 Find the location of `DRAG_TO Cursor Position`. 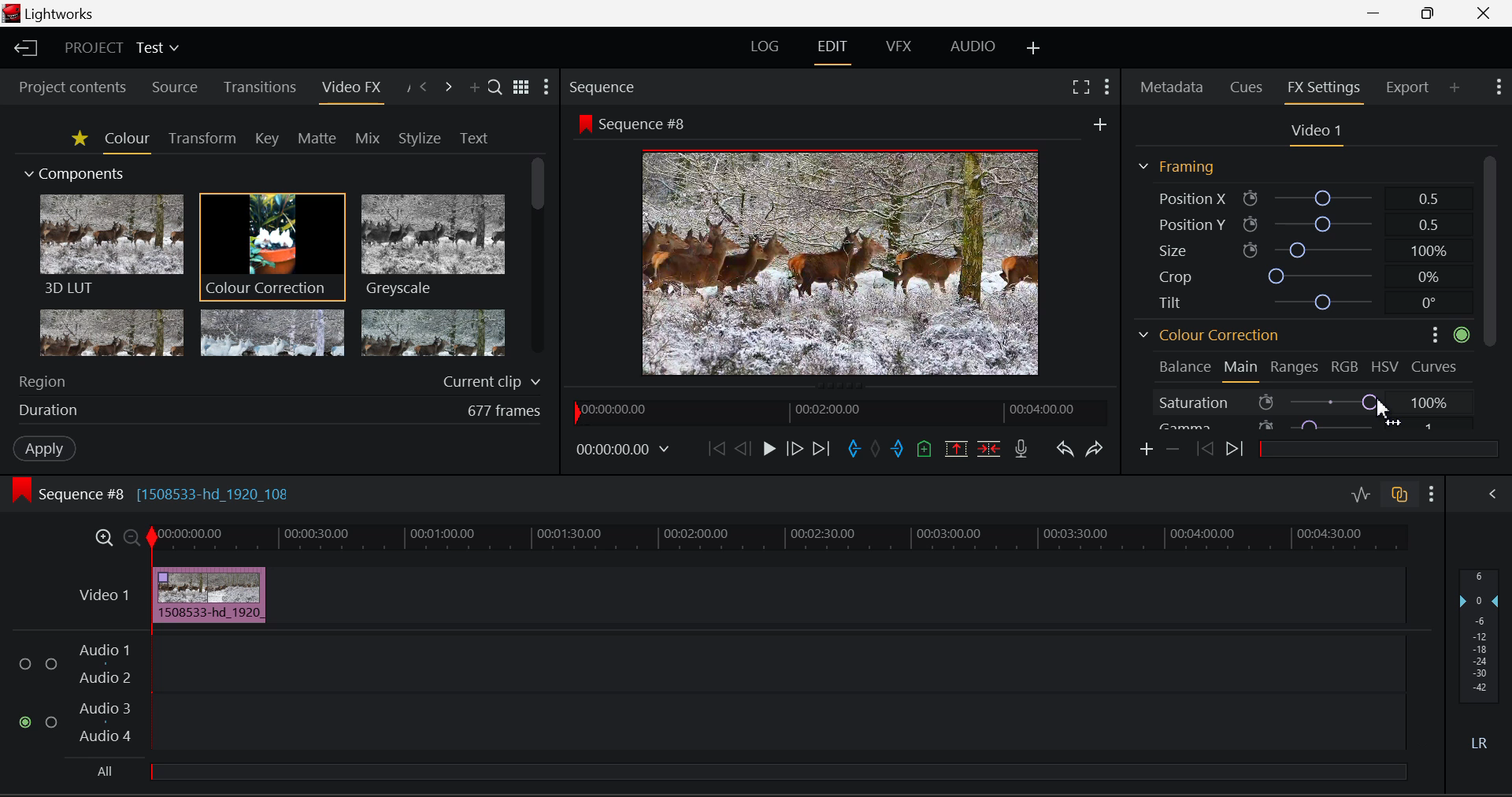

DRAG_TO Cursor Position is located at coordinates (1379, 406).